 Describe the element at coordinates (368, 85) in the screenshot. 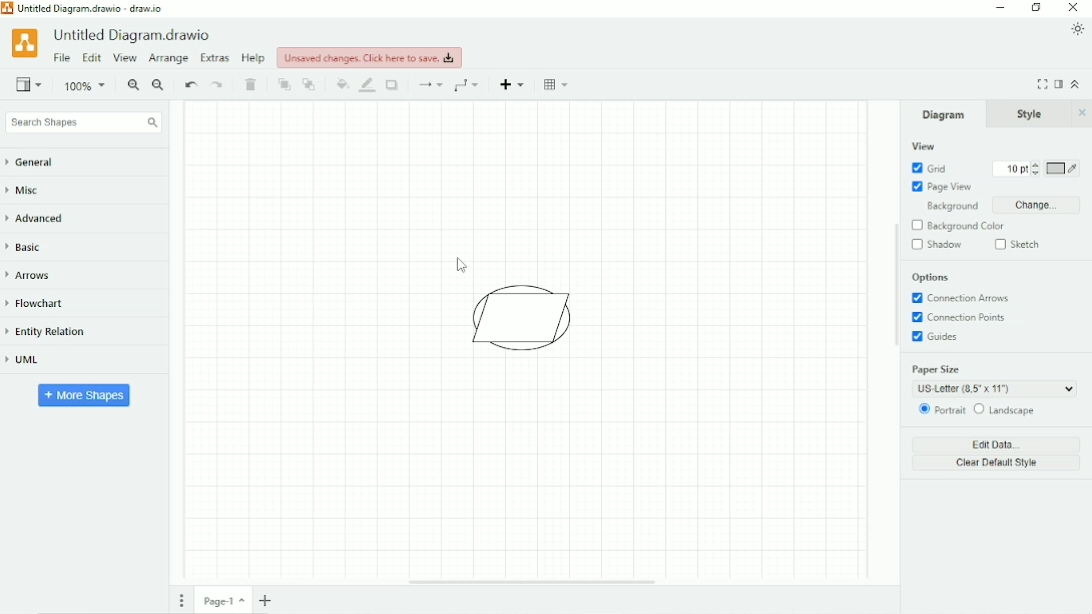

I see `Line color` at that location.